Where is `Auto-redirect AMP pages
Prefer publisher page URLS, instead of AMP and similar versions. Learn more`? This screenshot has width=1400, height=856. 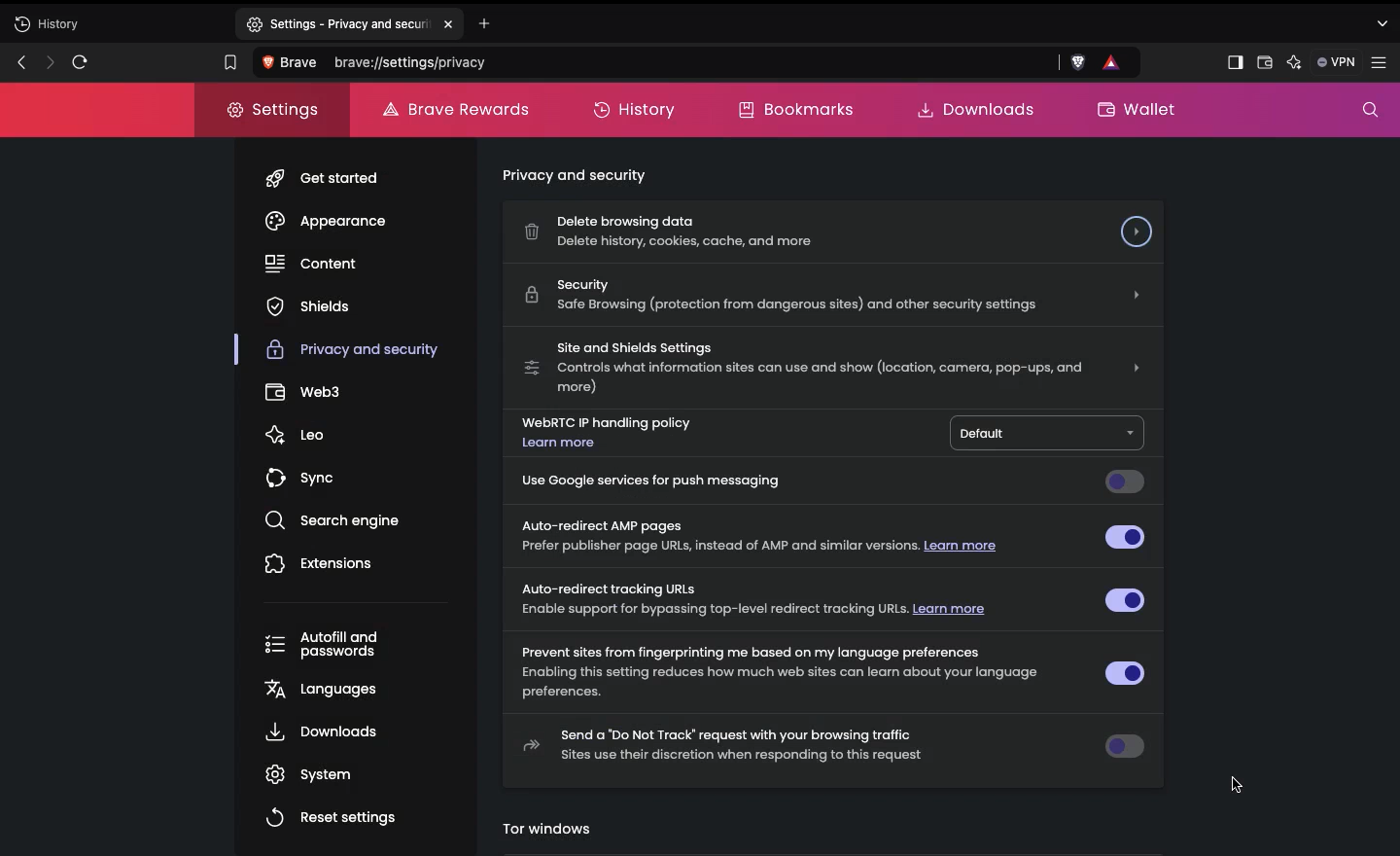 Auto-redirect AMP pages
Prefer publisher page URLS, instead of AMP and similar versions. Learn more is located at coordinates (833, 539).